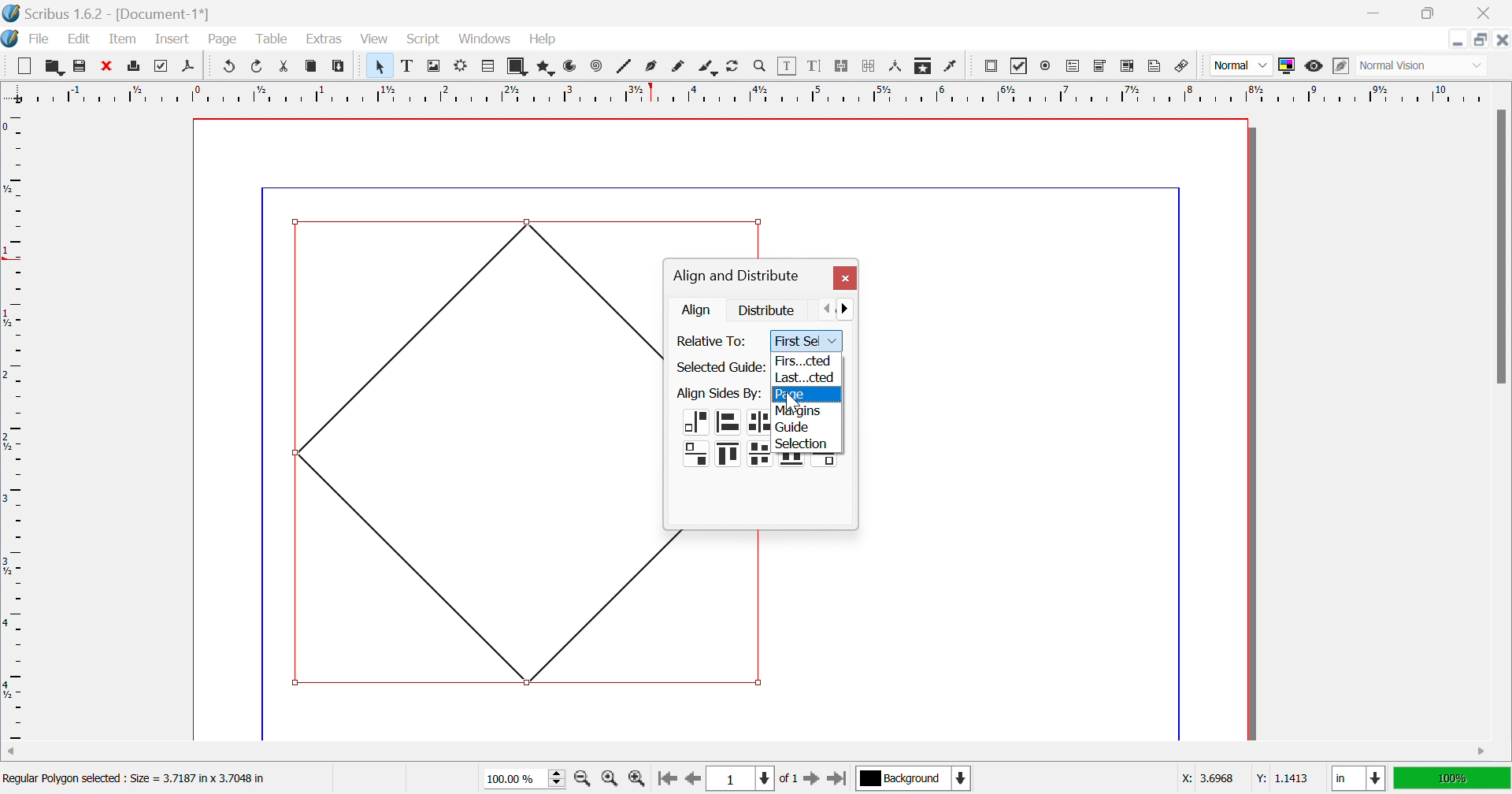  What do you see at coordinates (869, 66) in the screenshot?
I see `Unlink text frames` at bounding box center [869, 66].